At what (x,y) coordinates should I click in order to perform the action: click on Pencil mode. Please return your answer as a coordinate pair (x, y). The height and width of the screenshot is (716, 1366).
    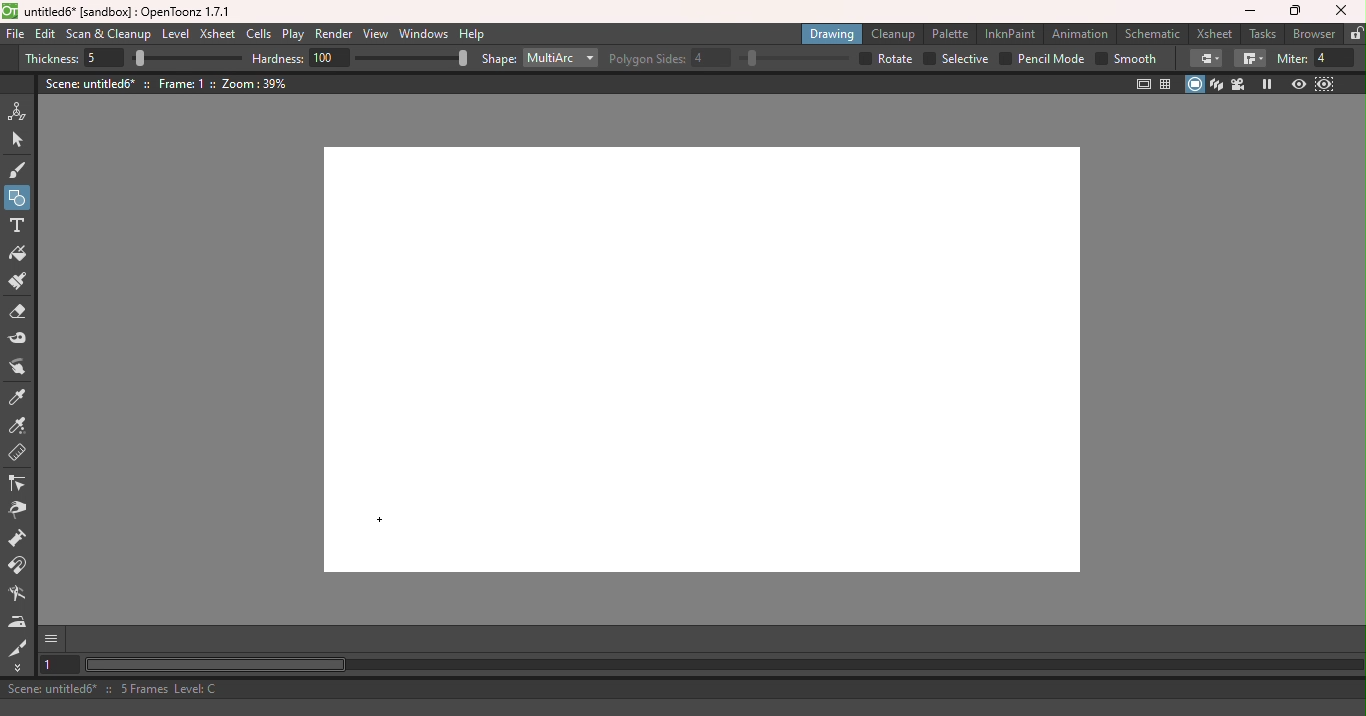
    Looking at the image, I should click on (1041, 60).